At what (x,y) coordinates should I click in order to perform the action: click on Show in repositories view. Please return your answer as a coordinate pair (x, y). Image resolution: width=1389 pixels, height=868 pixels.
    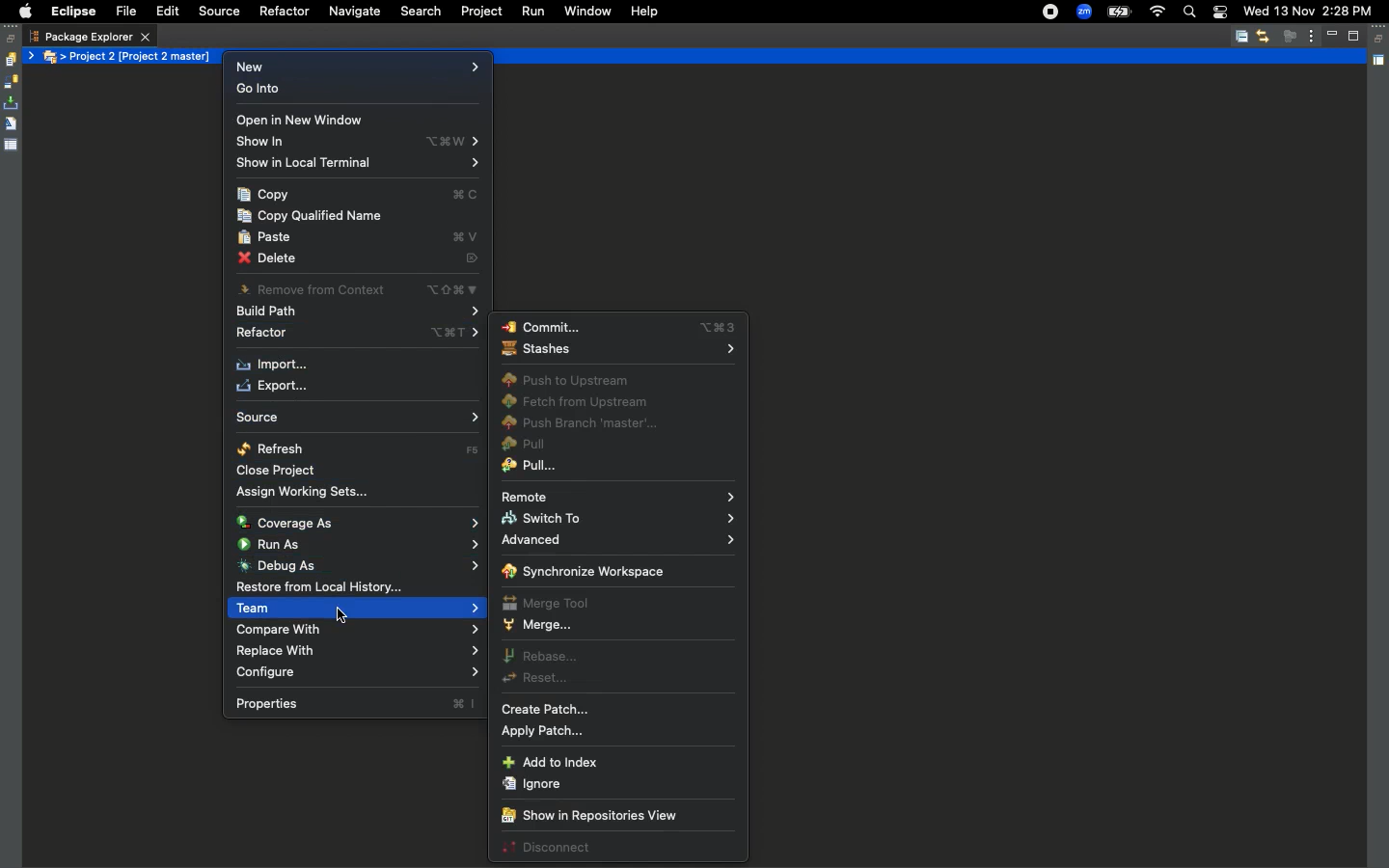
    Looking at the image, I should click on (587, 817).